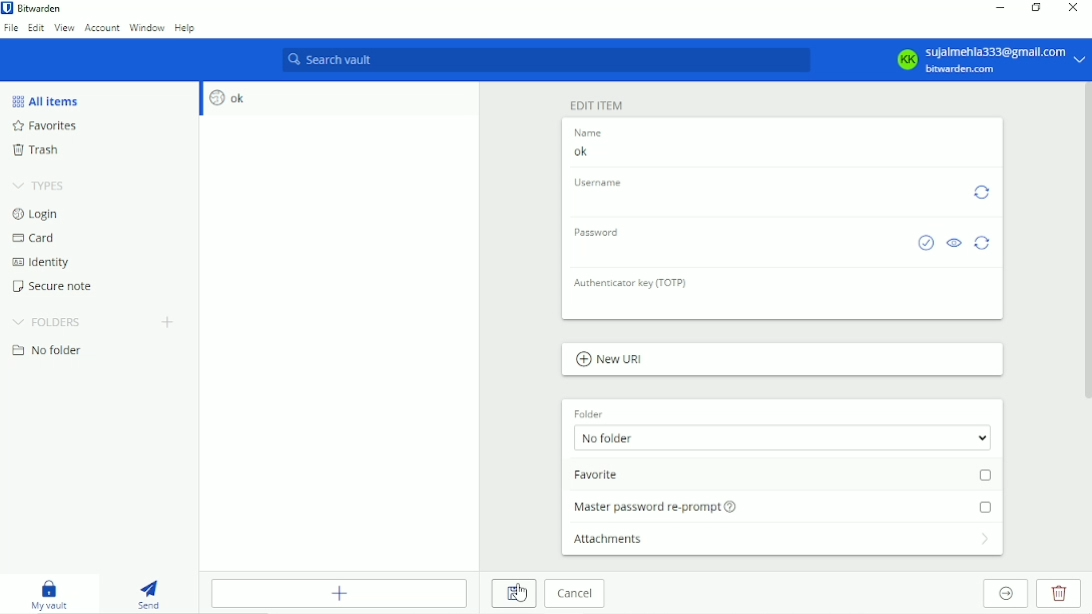 Image resolution: width=1092 pixels, height=614 pixels. I want to click on Send, so click(151, 591).